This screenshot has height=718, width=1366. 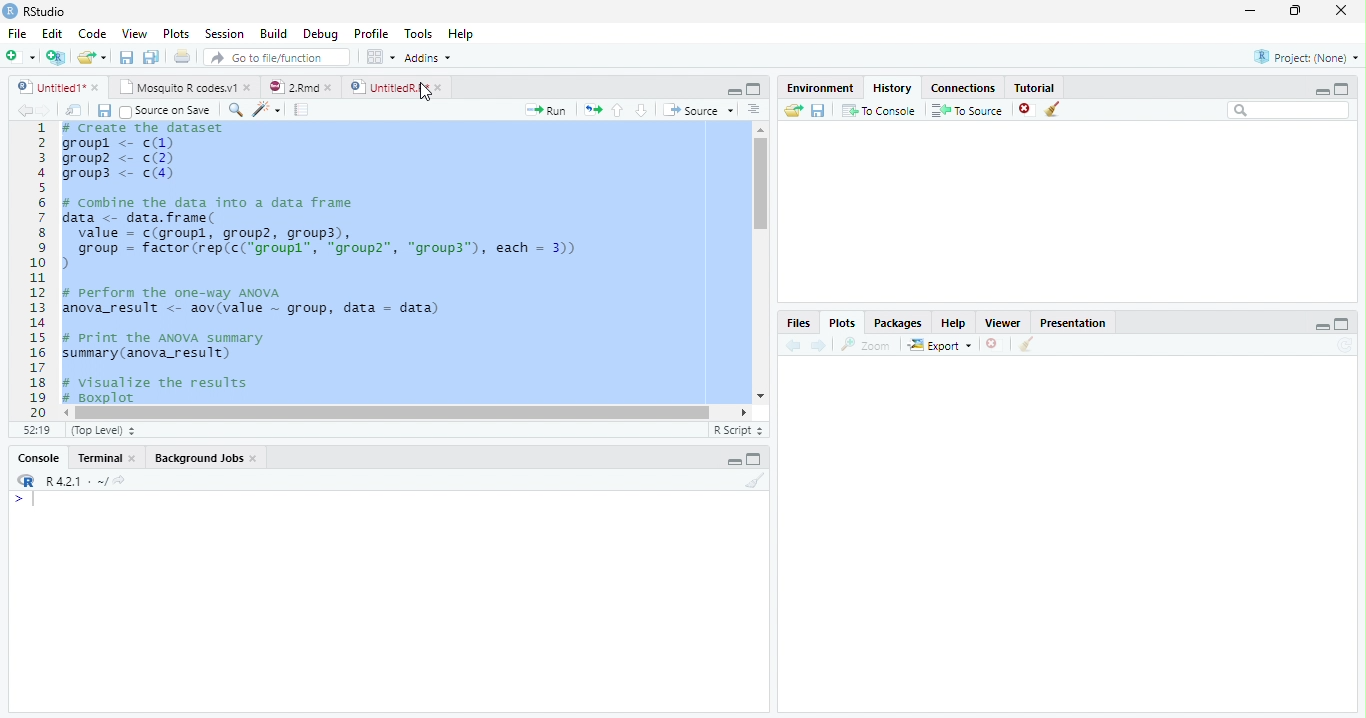 I want to click on Environment, so click(x=820, y=88).